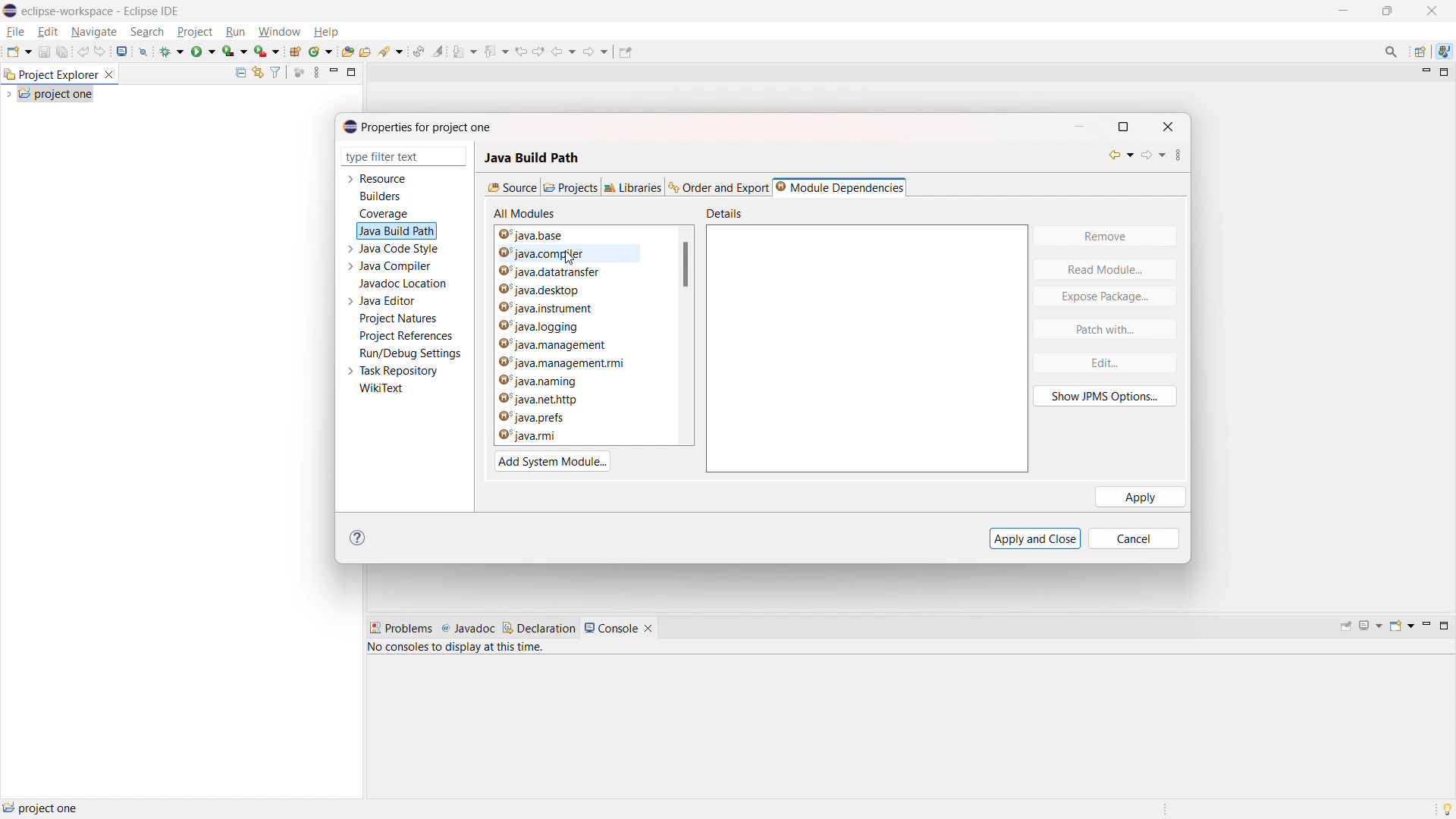 Image resolution: width=1456 pixels, height=819 pixels. I want to click on display selected console, so click(1372, 626).